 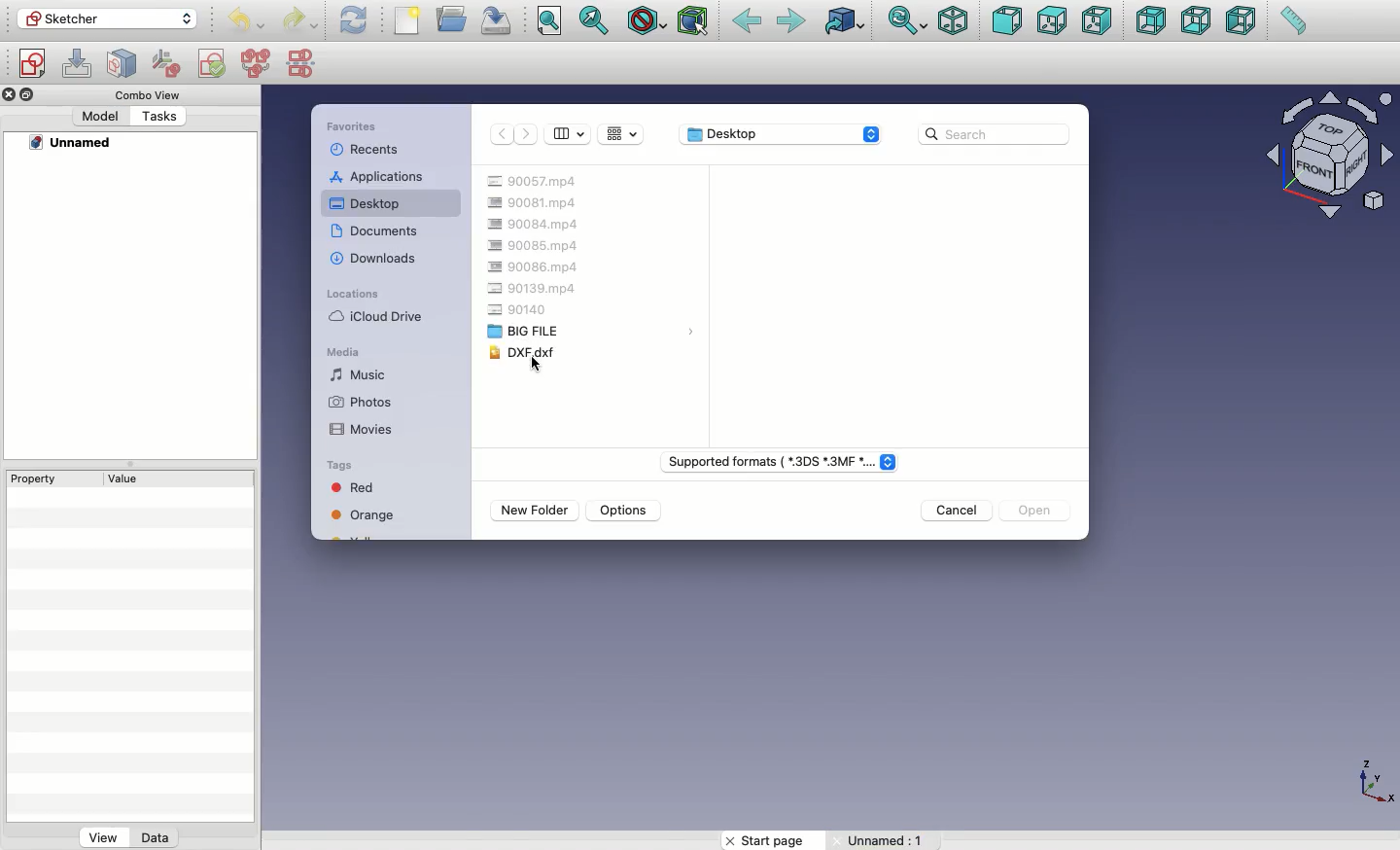 What do you see at coordinates (1376, 785) in the screenshot?
I see `Axis` at bounding box center [1376, 785].